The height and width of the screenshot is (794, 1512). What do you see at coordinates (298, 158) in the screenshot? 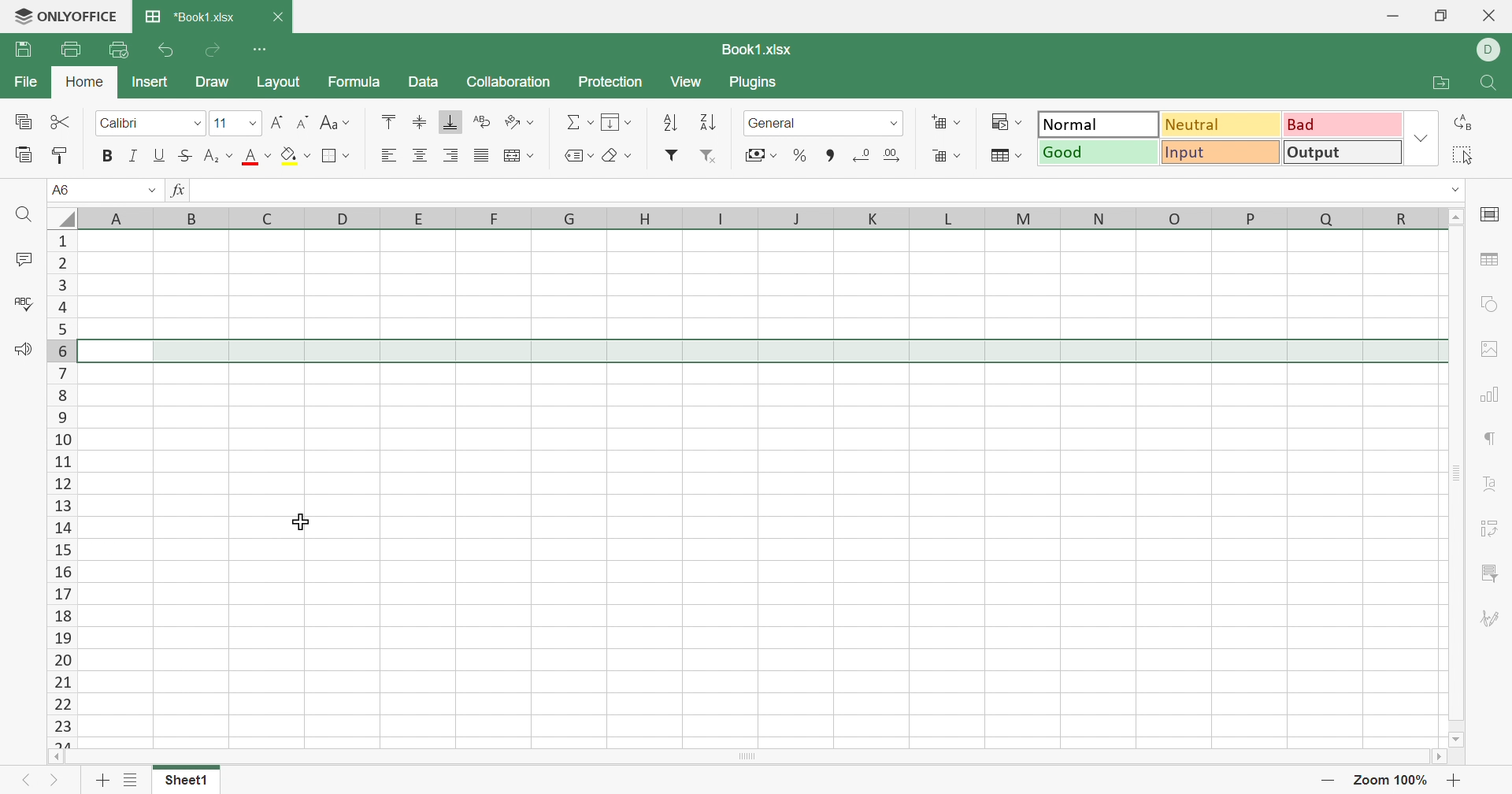
I see `Fill color` at bounding box center [298, 158].